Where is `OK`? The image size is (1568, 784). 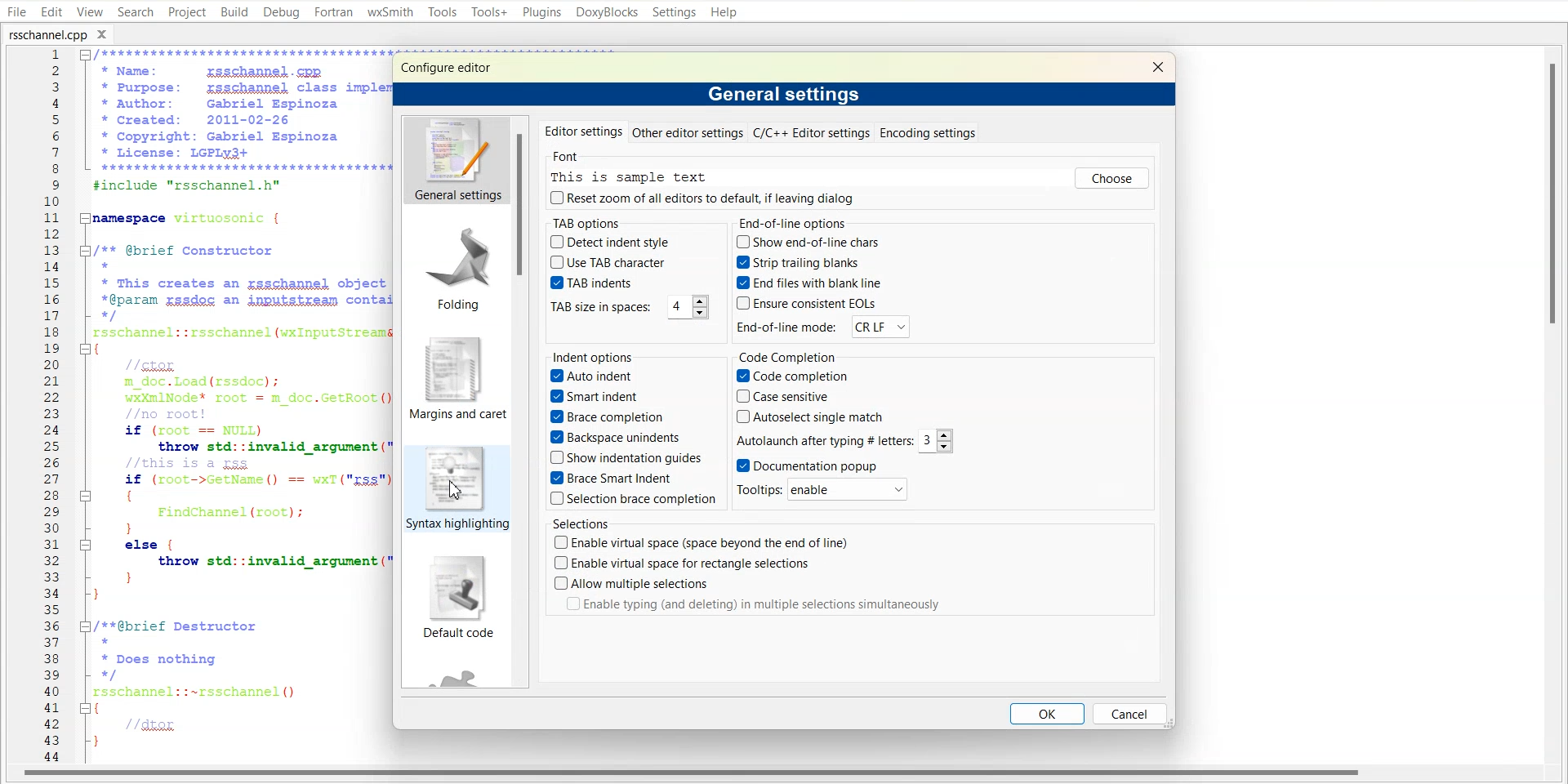
OK is located at coordinates (1048, 714).